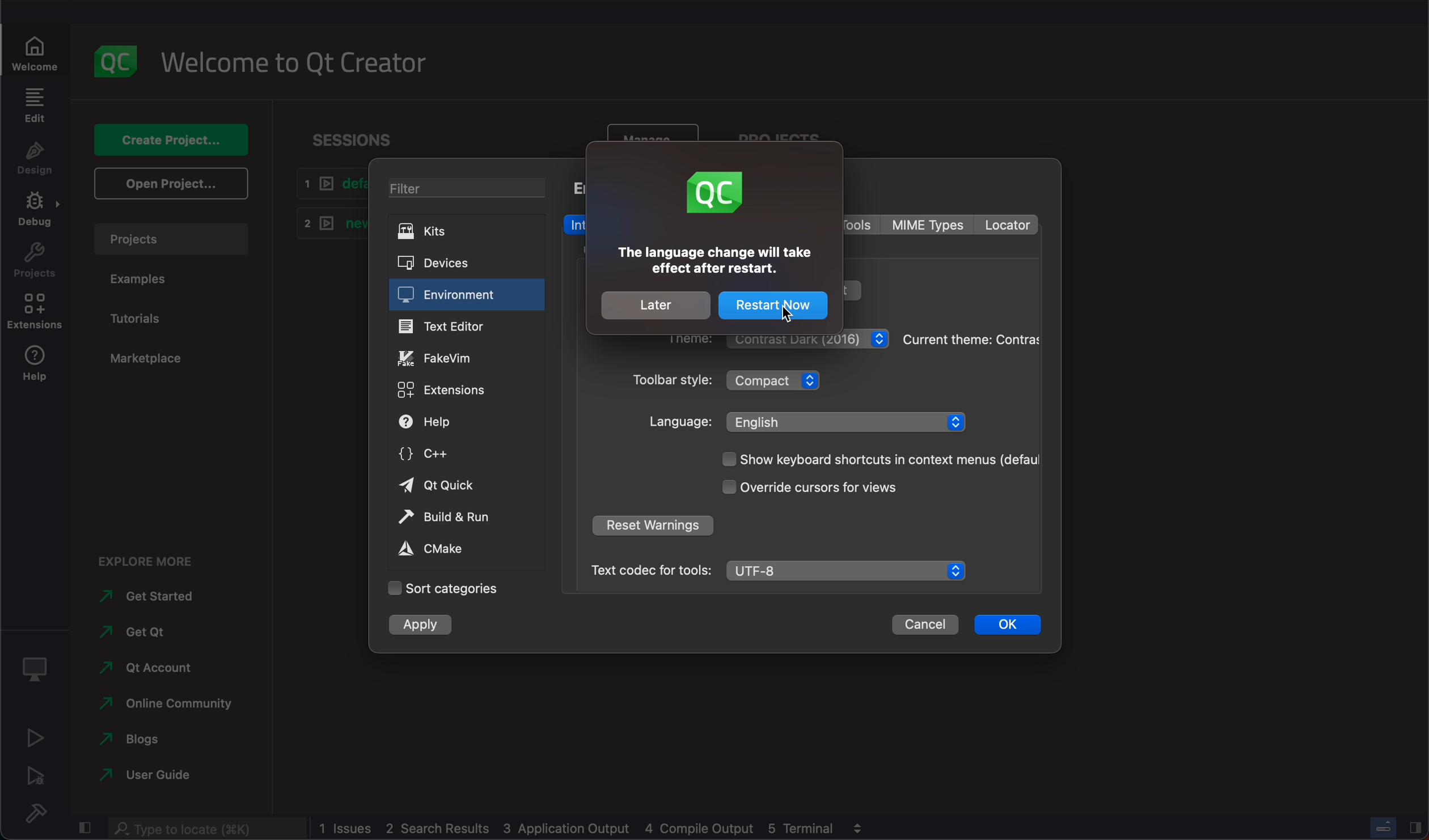  What do you see at coordinates (464, 327) in the screenshot?
I see `text editor` at bounding box center [464, 327].